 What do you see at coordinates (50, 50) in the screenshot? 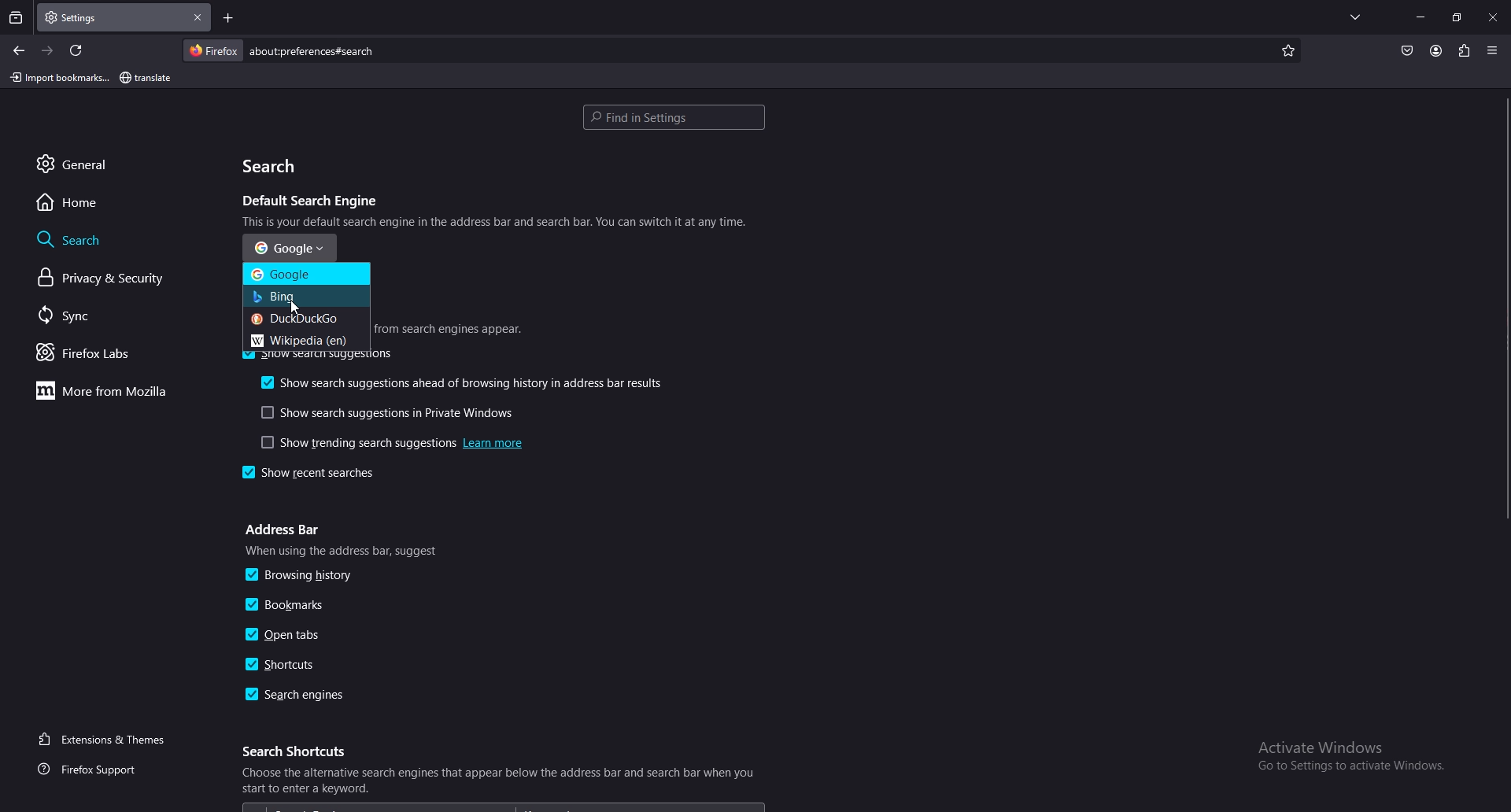
I see `forward` at bounding box center [50, 50].